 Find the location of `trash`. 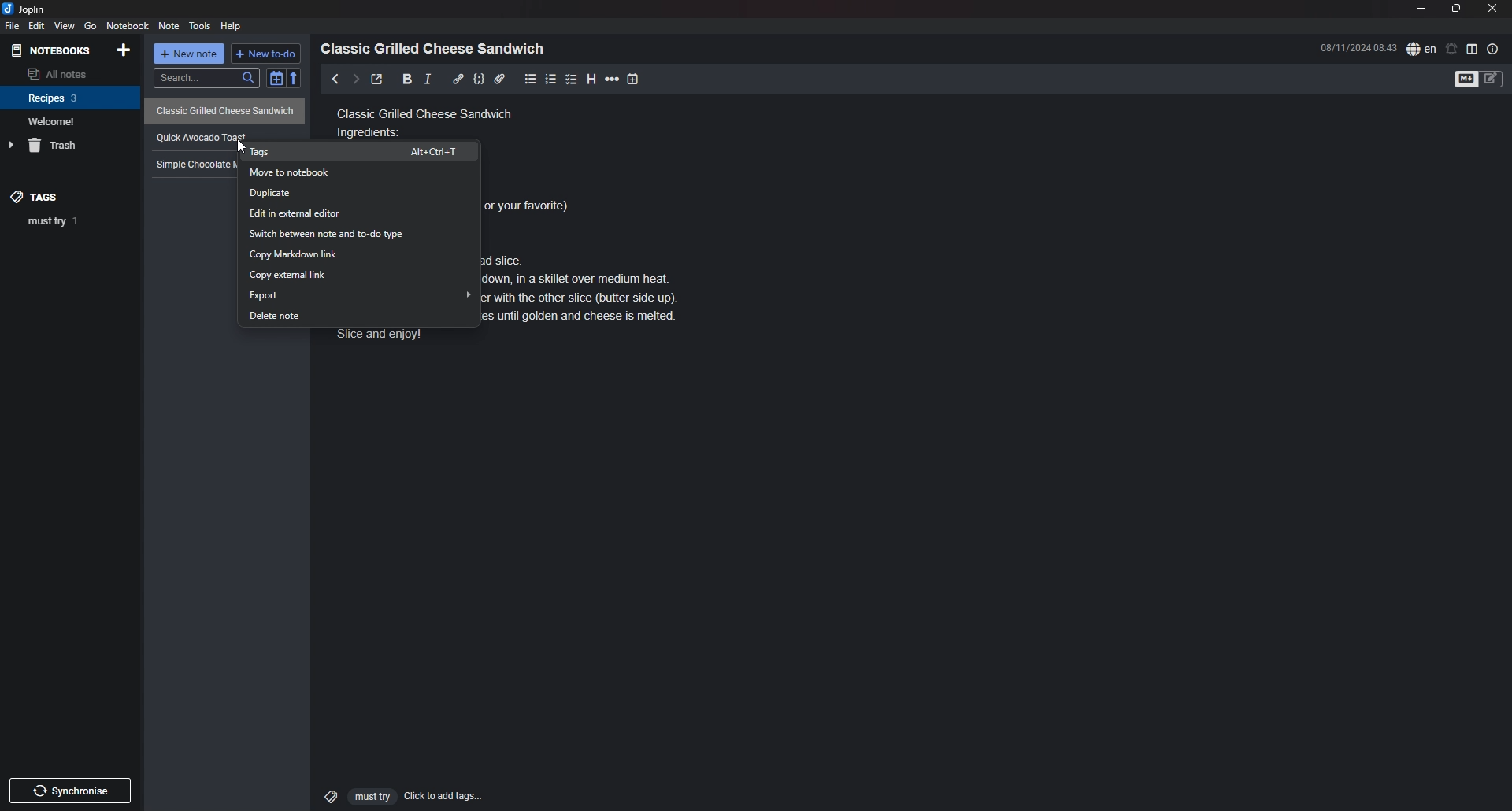

trash is located at coordinates (72, 146).